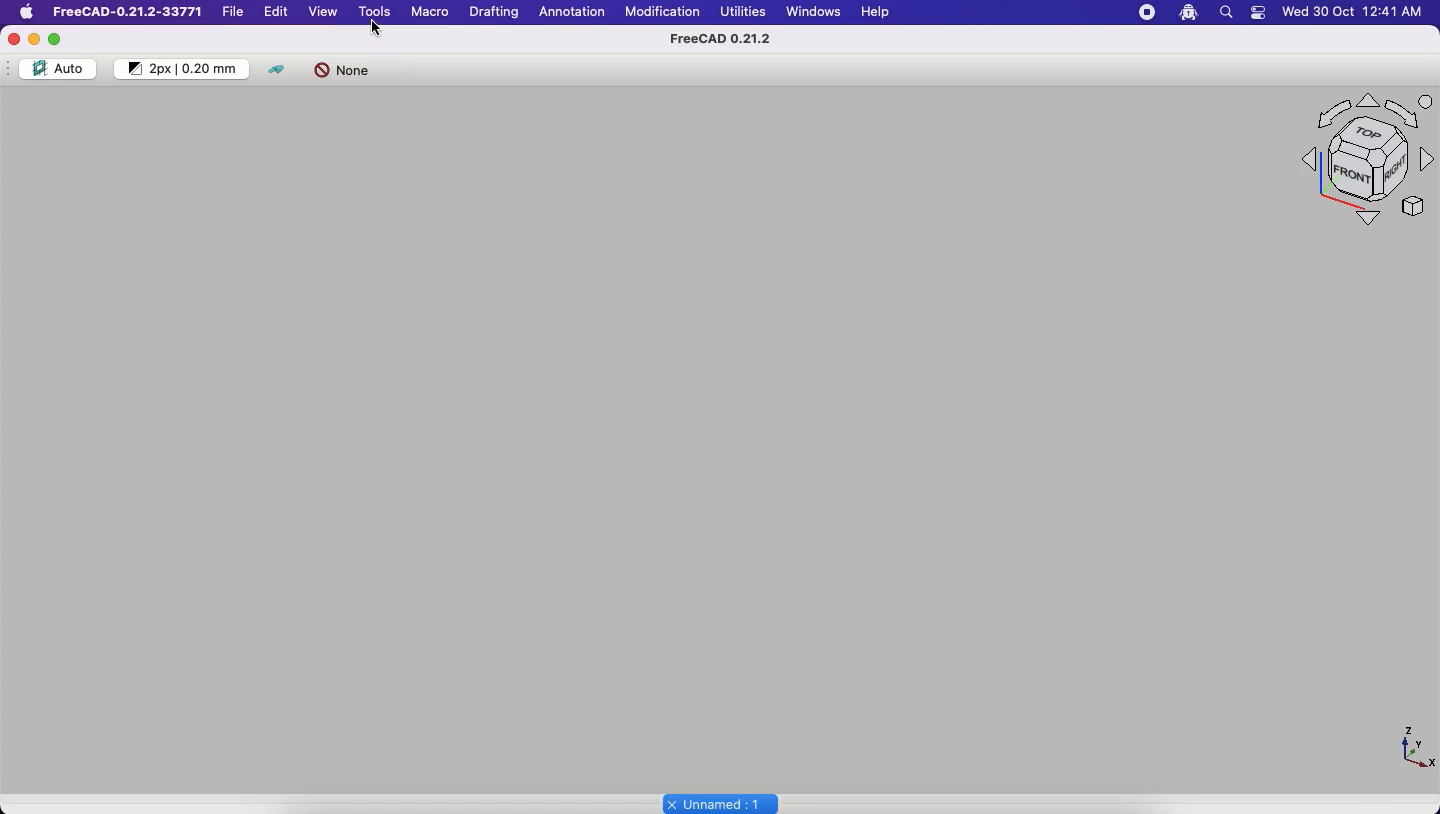  What do you see at coordinates (131, 13) in the screenshot?
I see `FreeCAD` at bounding box center [131, 13].